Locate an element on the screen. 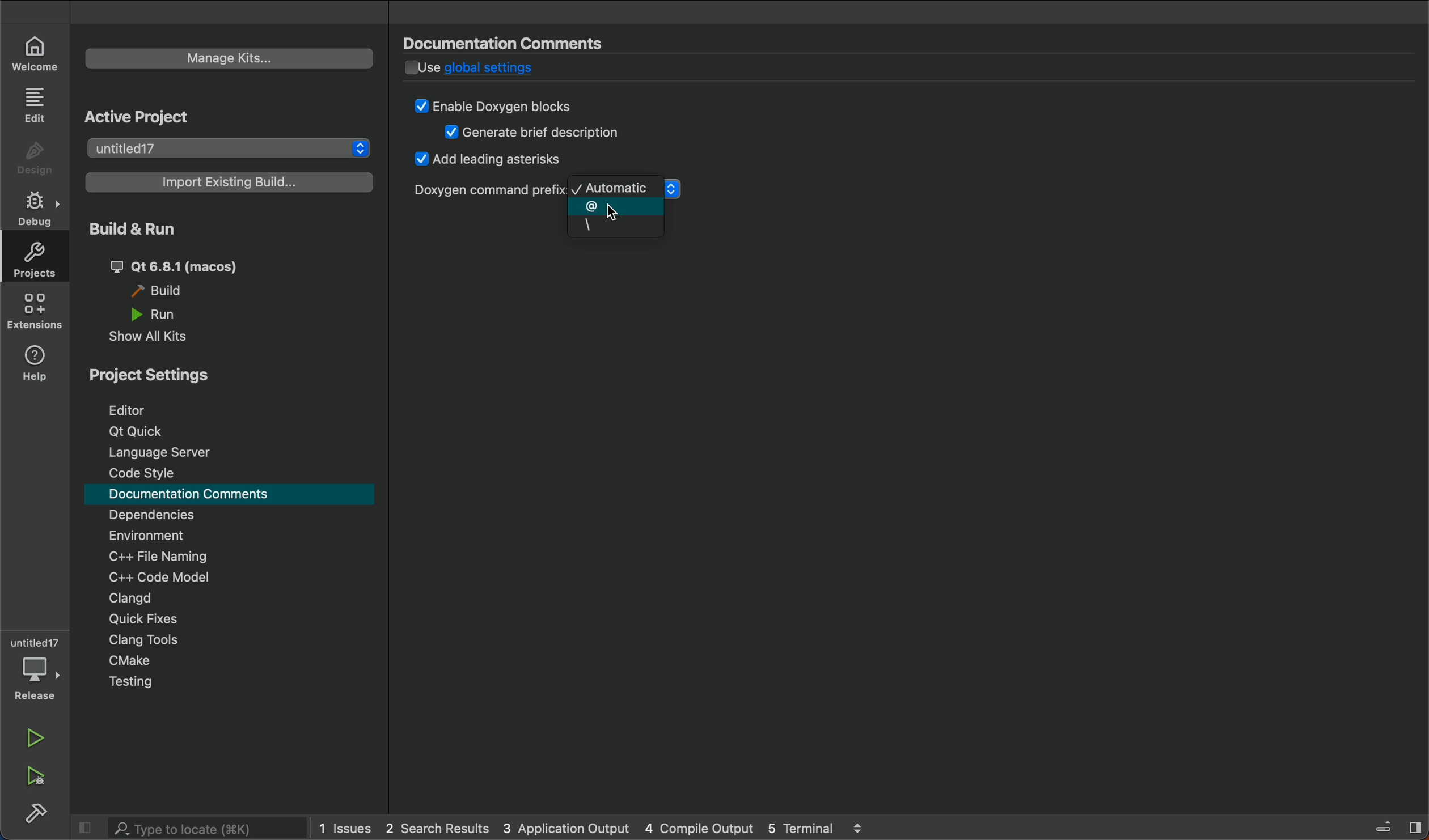  t quick is located at coordinates (138, 432).